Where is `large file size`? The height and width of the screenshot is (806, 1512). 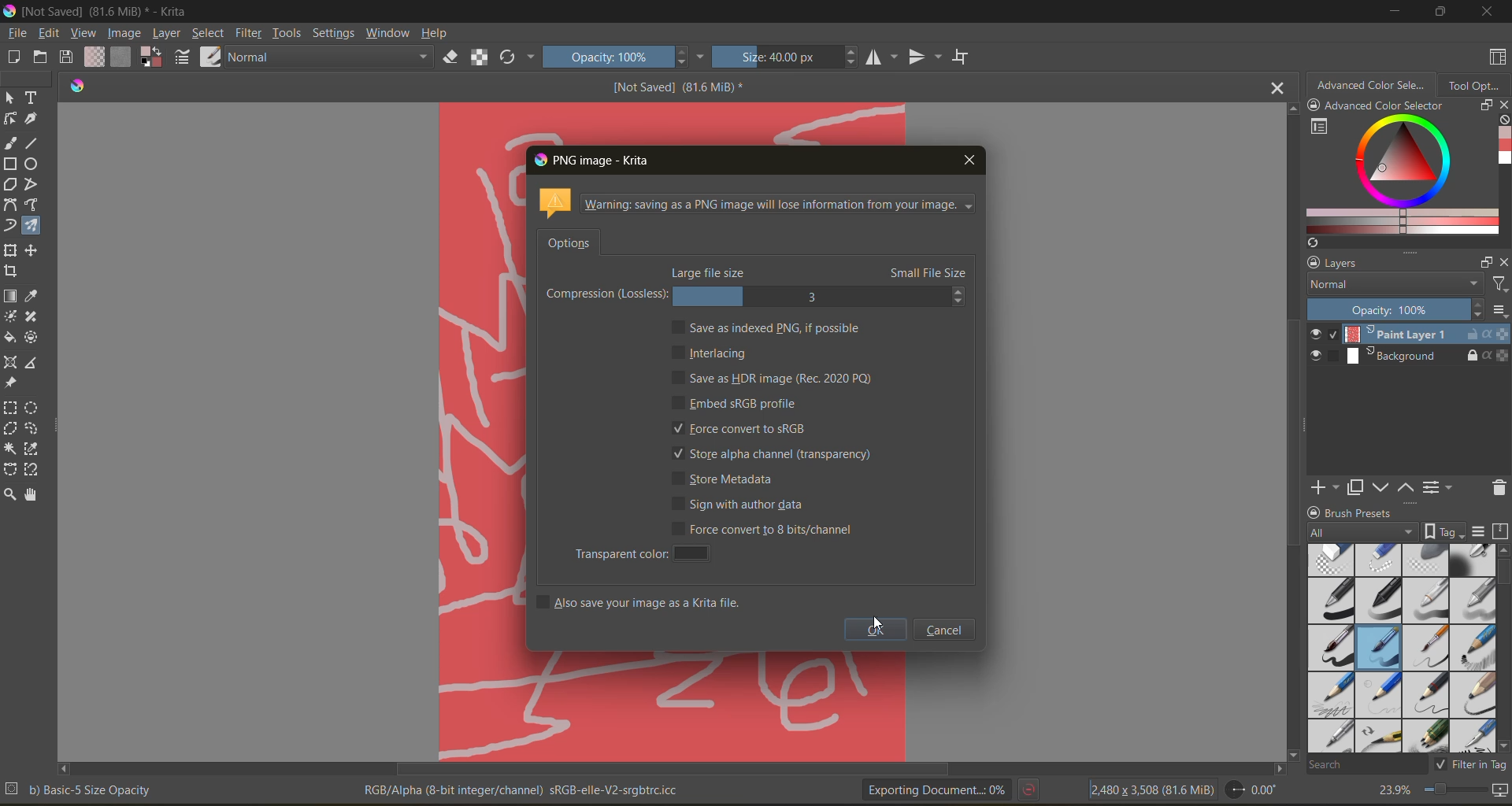 large file size is located at coordinates (709, 271).